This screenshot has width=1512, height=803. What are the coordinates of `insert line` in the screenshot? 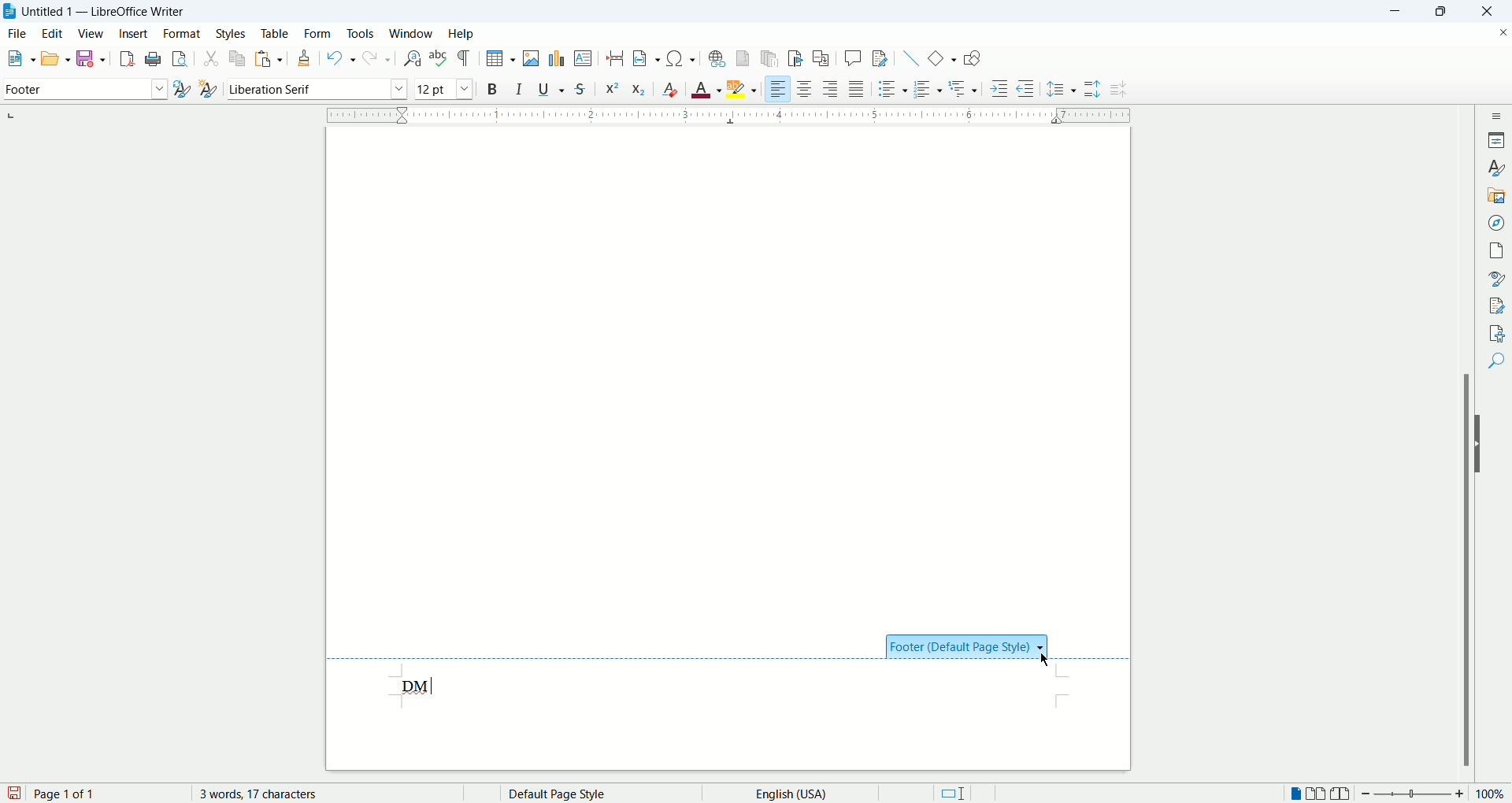 It's located at (909, 57).